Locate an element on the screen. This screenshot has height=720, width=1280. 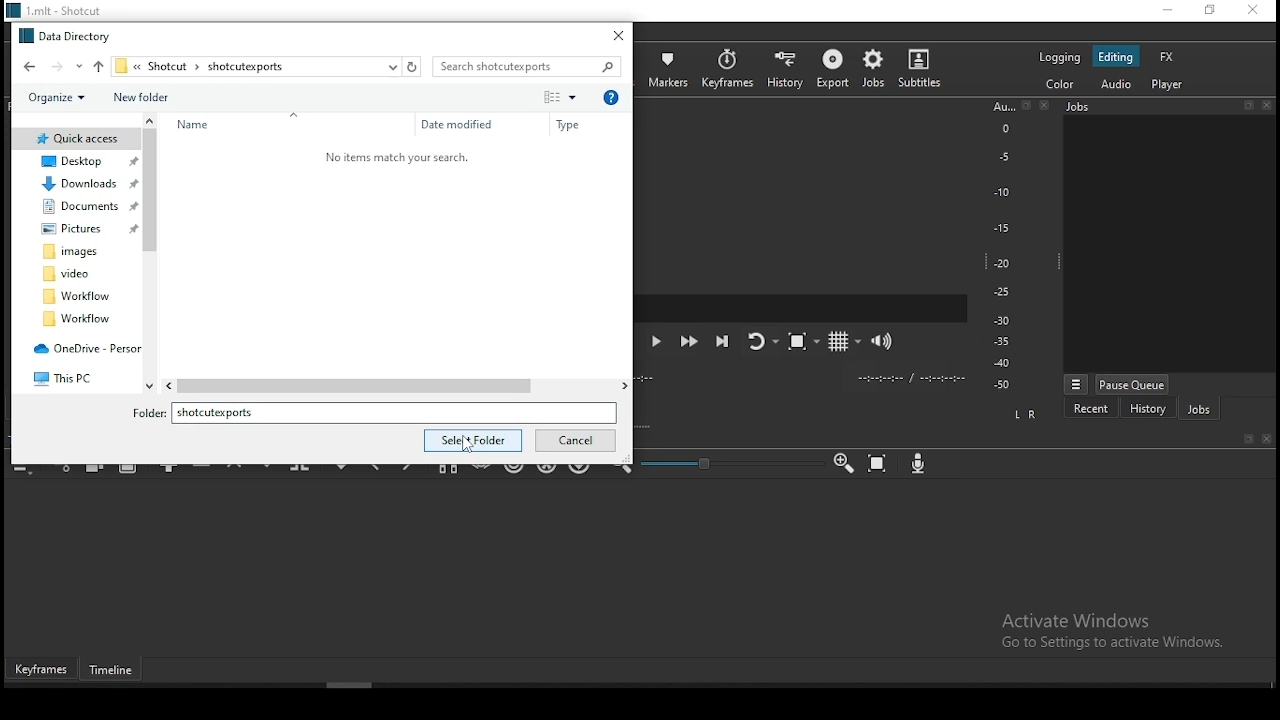
local folder is located at coordinates (77, 161).